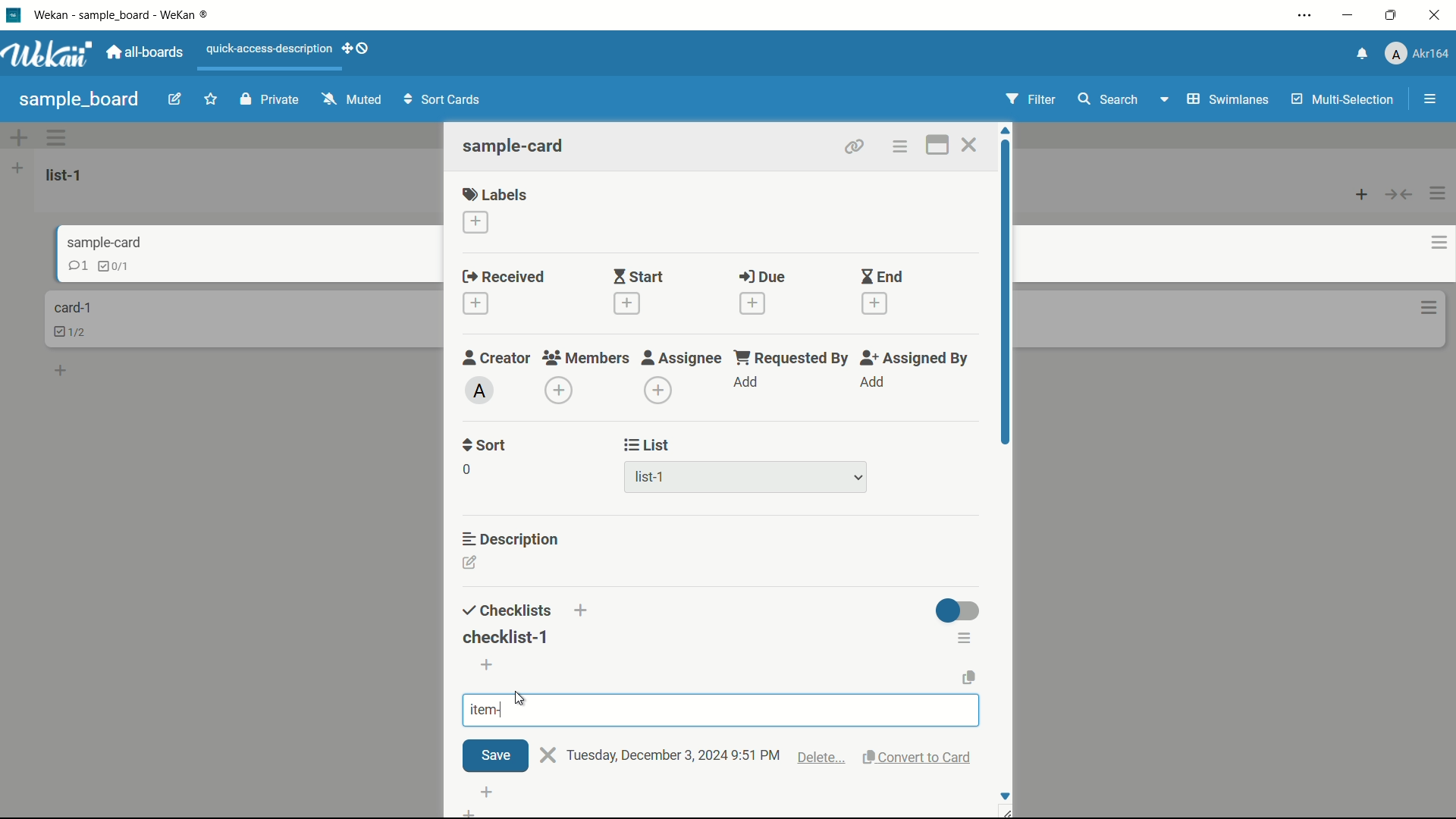  What do you see at coordinates (508, 611) in the screenshot?
I see `checklists` at bounding box center [508, 611].